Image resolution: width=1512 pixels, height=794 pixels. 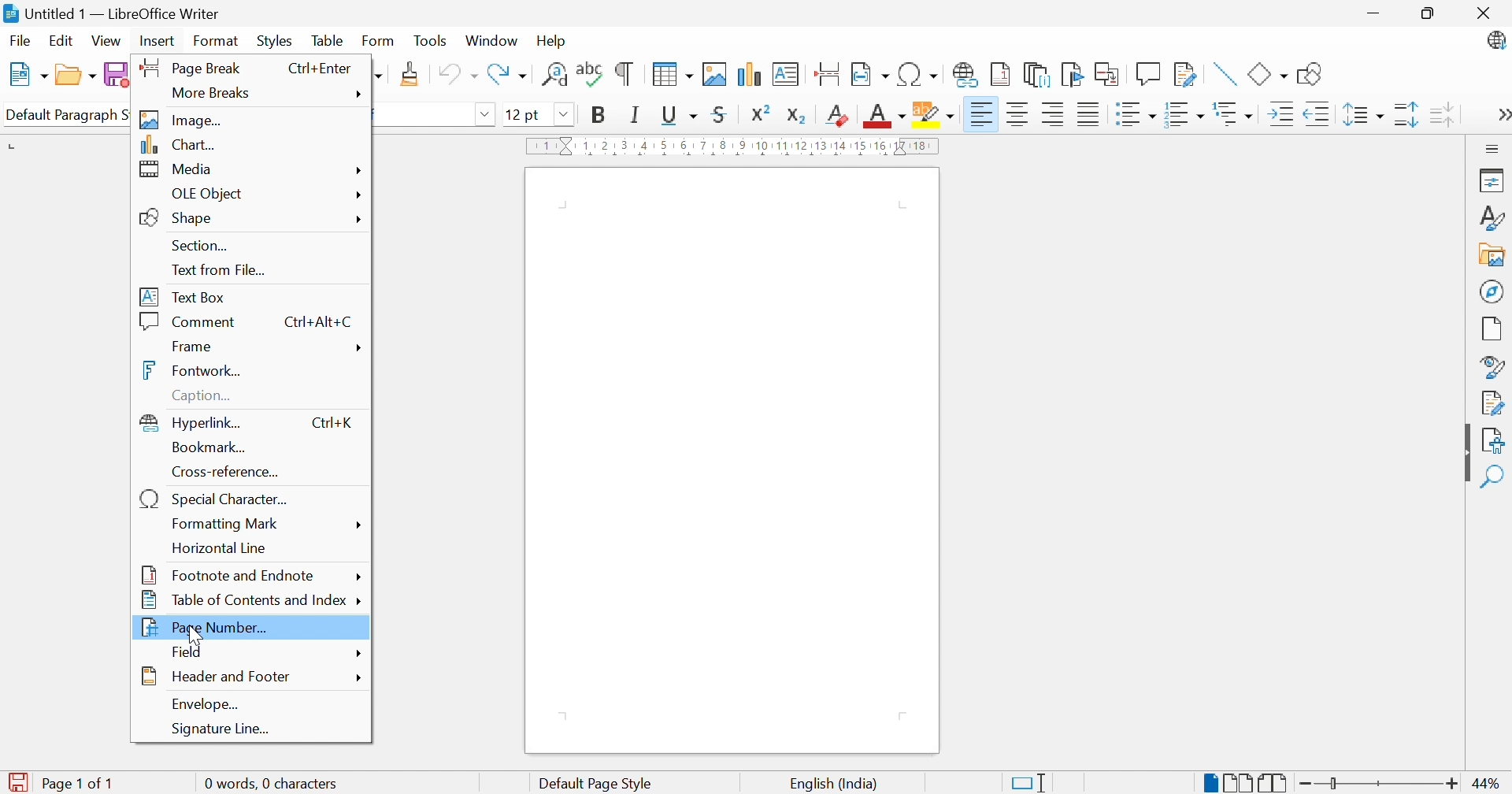 What do you see at coordinates (735, 147) in the screenshot?
I see `Ruler` at bounding box center [735, 147].